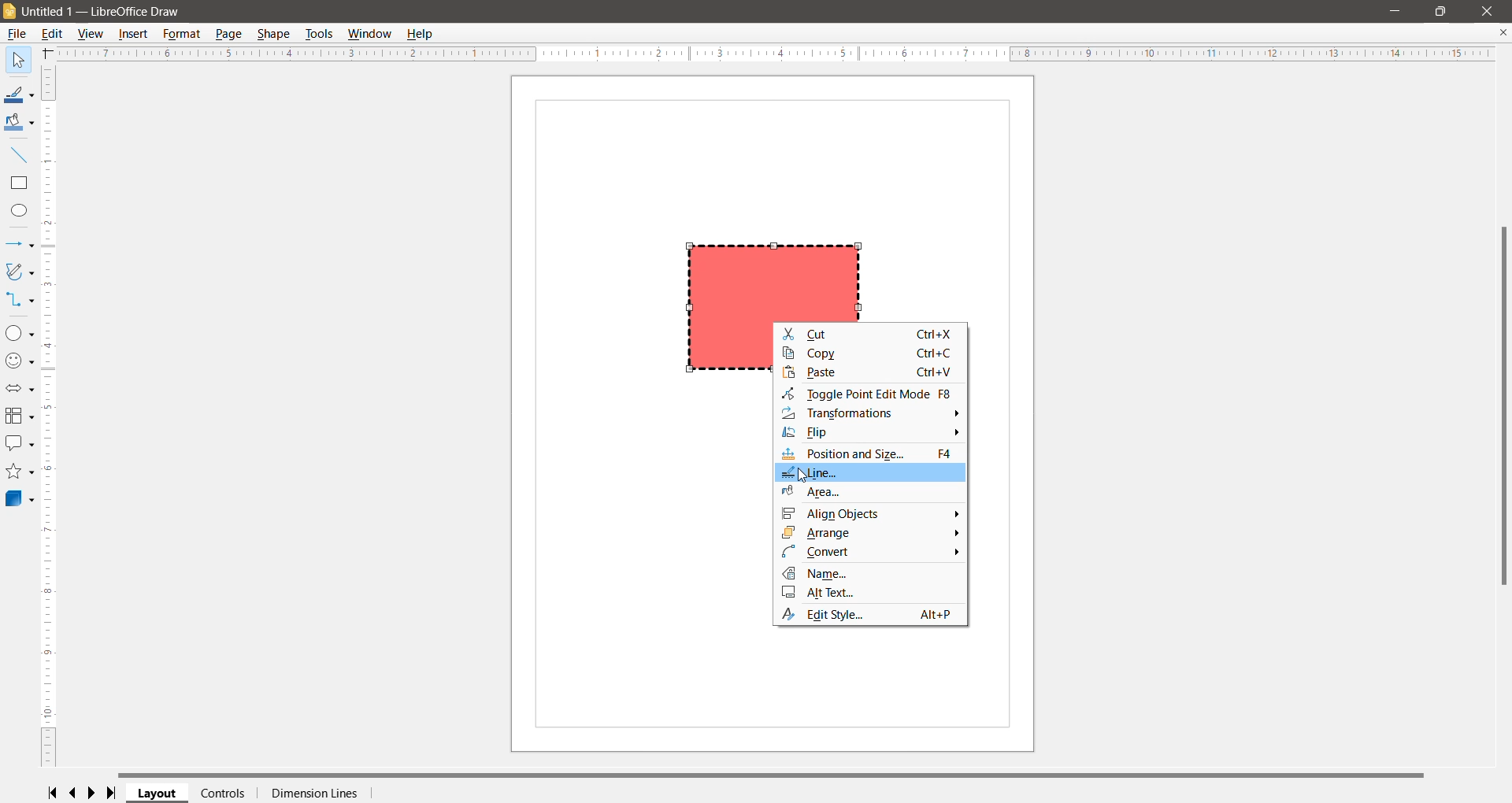 The height and width of the screenshot is (803, 1512). What do you see at coordinates (112, 794) in the screenshot?
I see `Scroll to last page` at bounding box center [112, 794].